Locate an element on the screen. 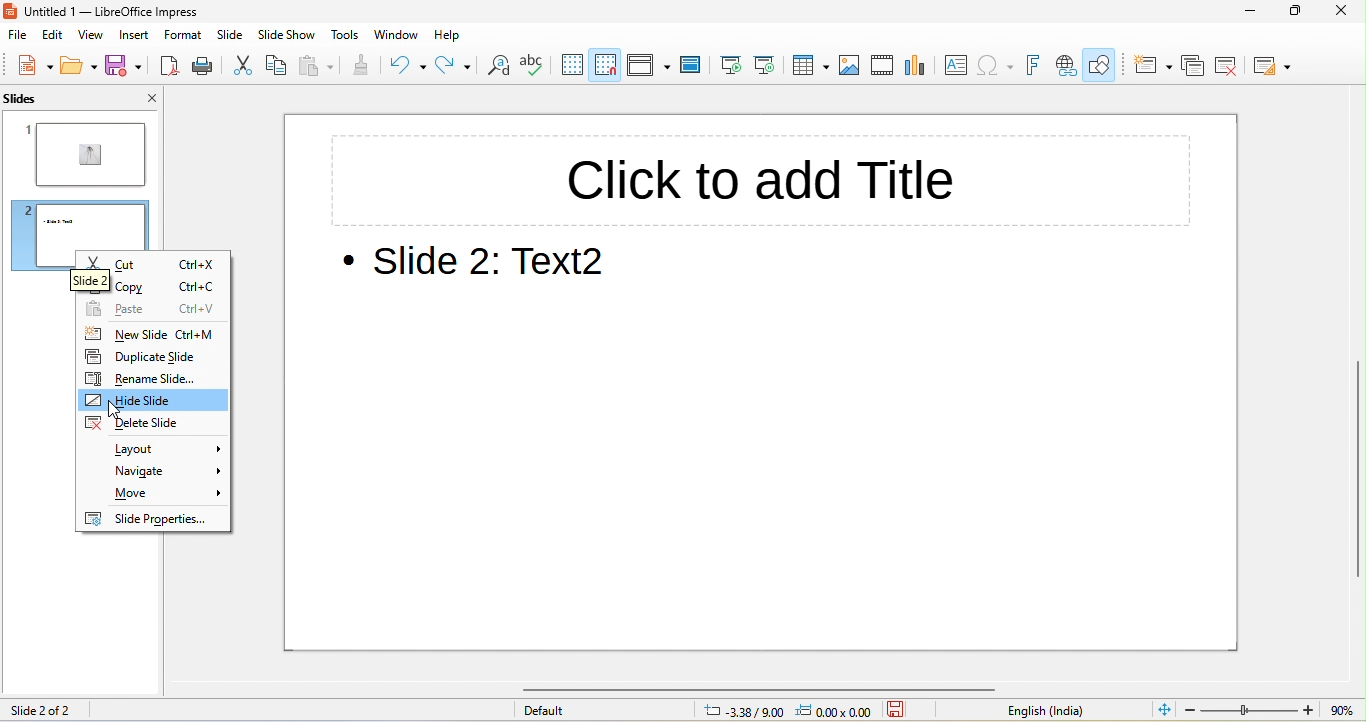 Image resolution: width=1366 pixels, height=722 pixels. new slide is located at coordinates (123, 336).